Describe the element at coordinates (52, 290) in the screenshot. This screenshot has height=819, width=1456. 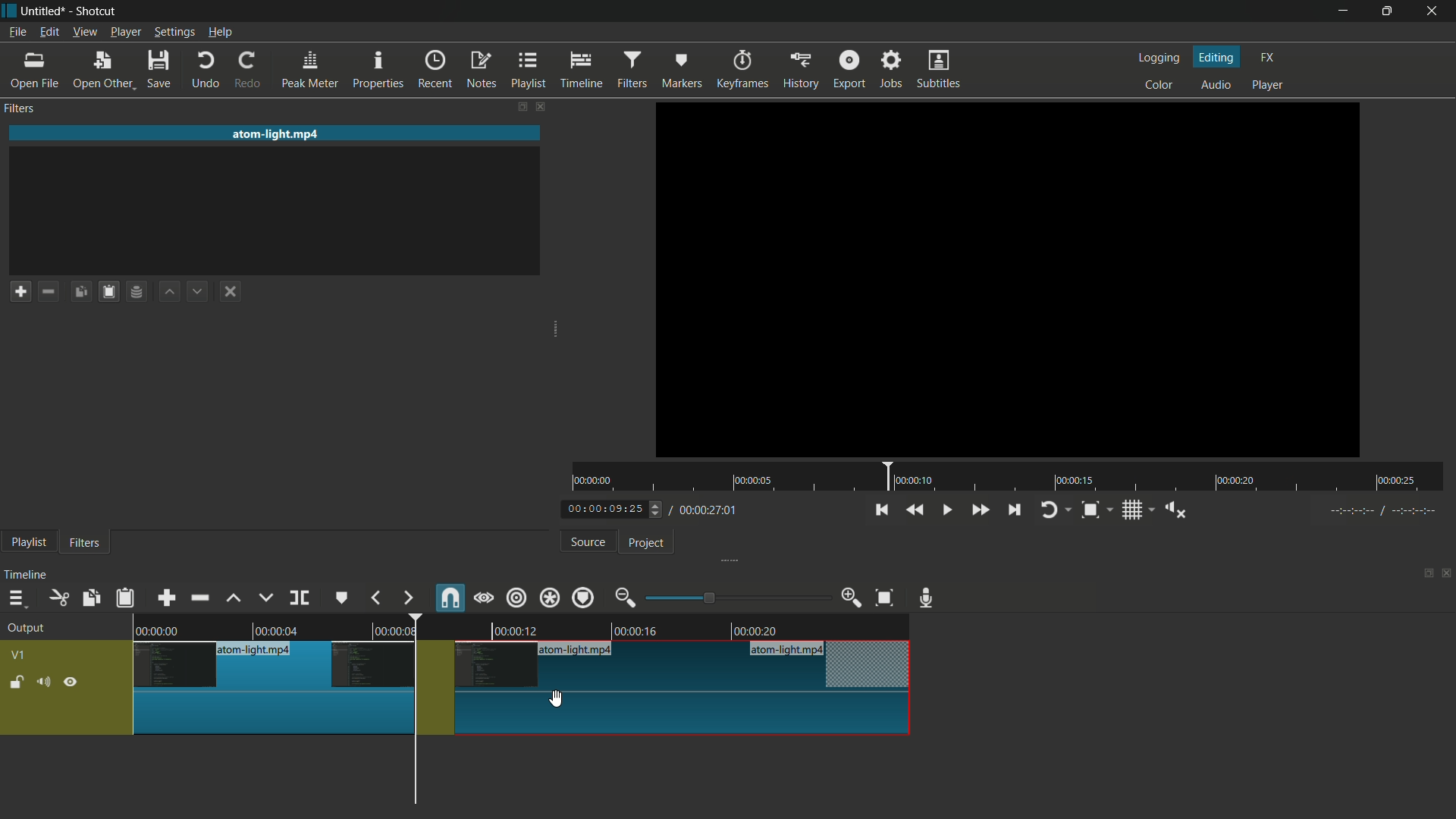
I see `remove a filter` at that location.